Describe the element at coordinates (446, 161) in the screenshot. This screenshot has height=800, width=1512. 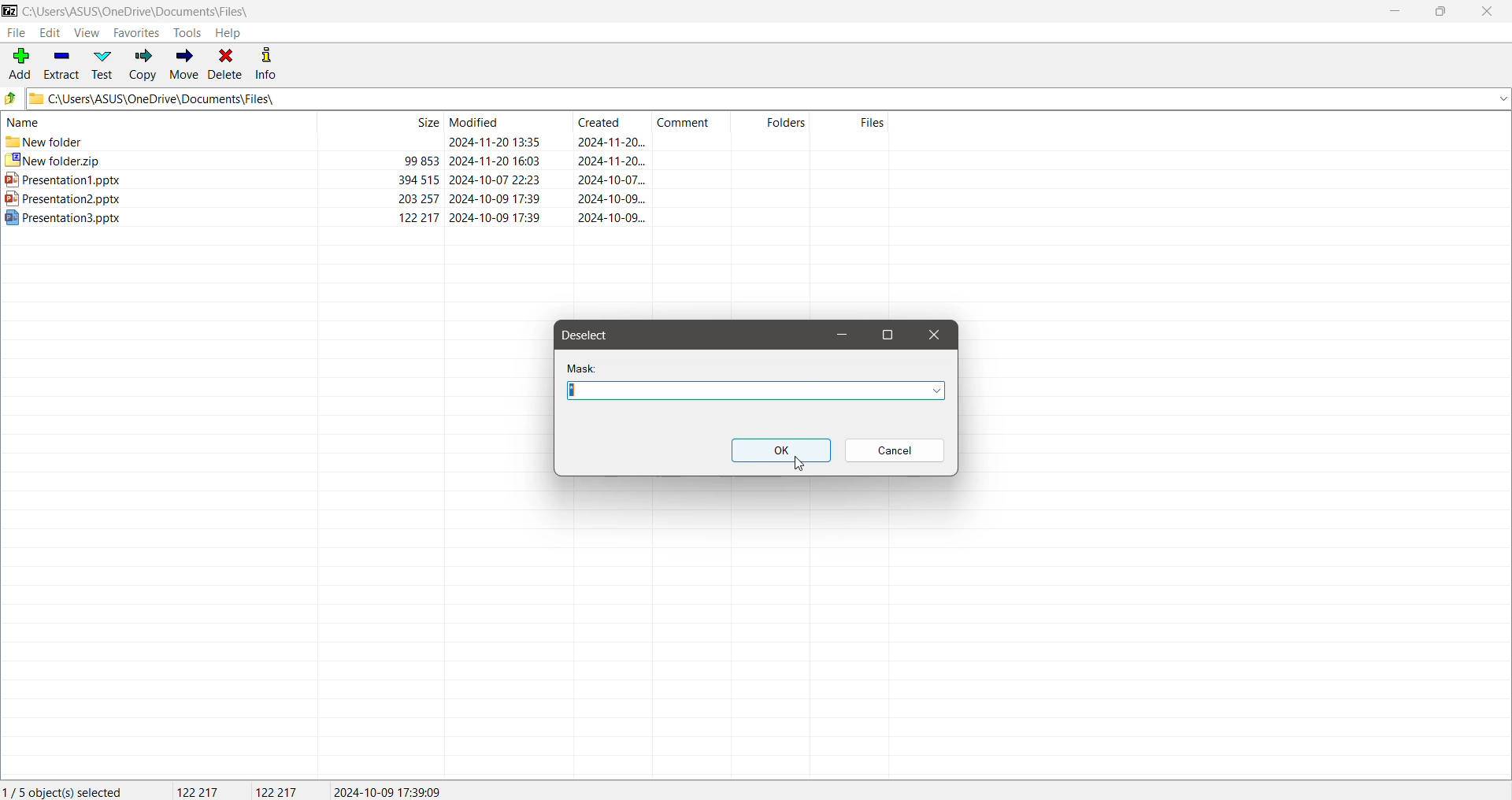
I see `zip folder` at that location.